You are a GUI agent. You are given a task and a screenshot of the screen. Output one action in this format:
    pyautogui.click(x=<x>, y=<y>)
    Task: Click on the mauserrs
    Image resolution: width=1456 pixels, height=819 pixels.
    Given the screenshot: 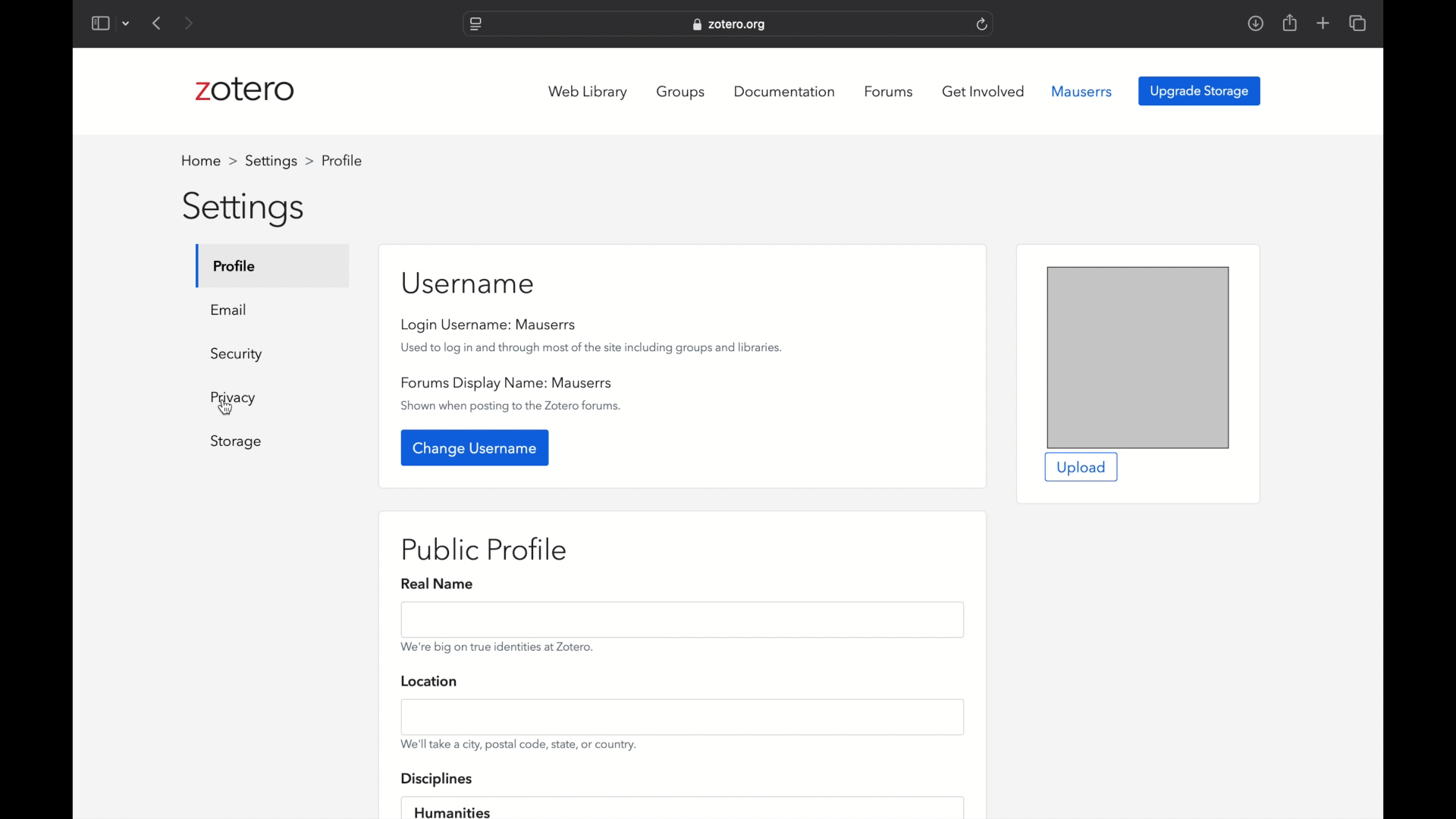 What is the action you would take?
    pyautogui.click(x=1082, y=92)
    